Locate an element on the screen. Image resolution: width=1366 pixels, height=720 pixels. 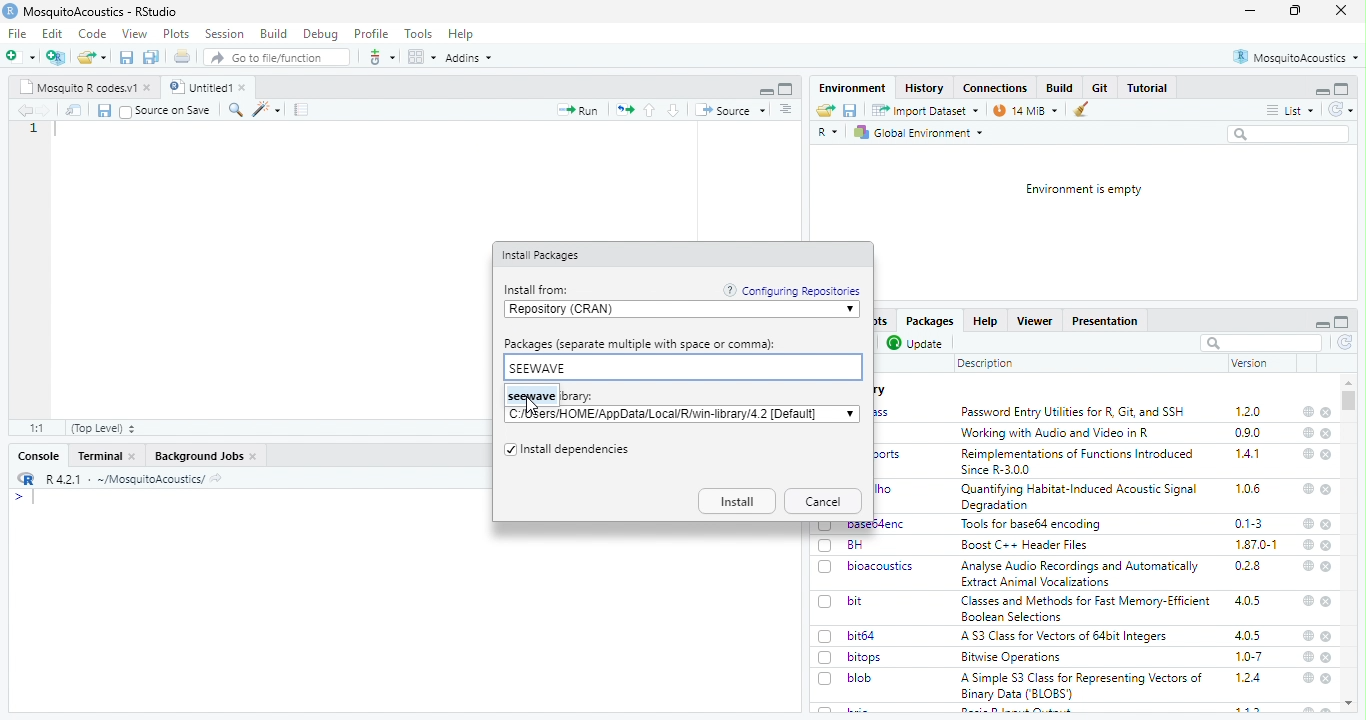
 is located at coordinates (1062, 87).